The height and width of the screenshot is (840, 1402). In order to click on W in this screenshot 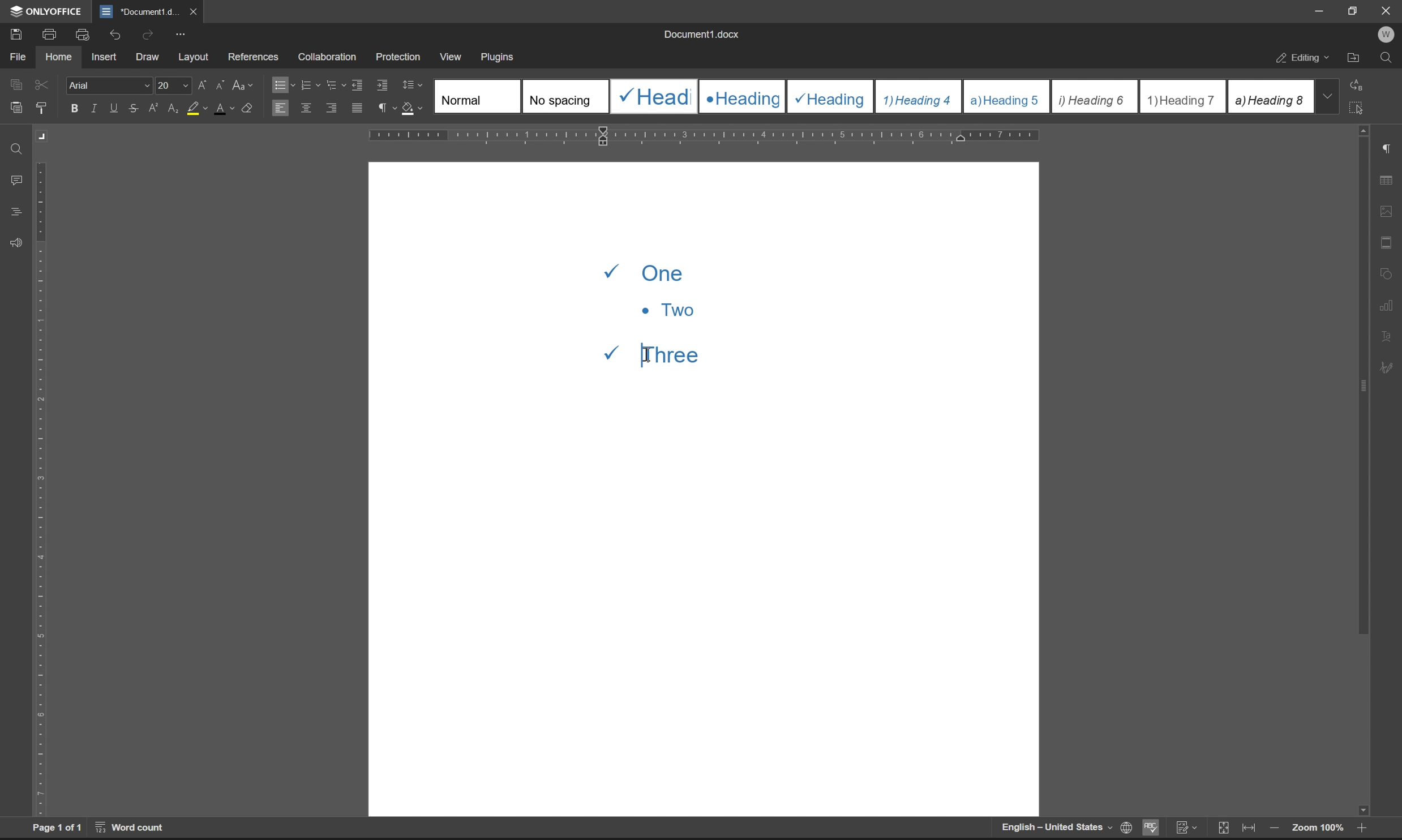, I will do `click(1388, 35)`.